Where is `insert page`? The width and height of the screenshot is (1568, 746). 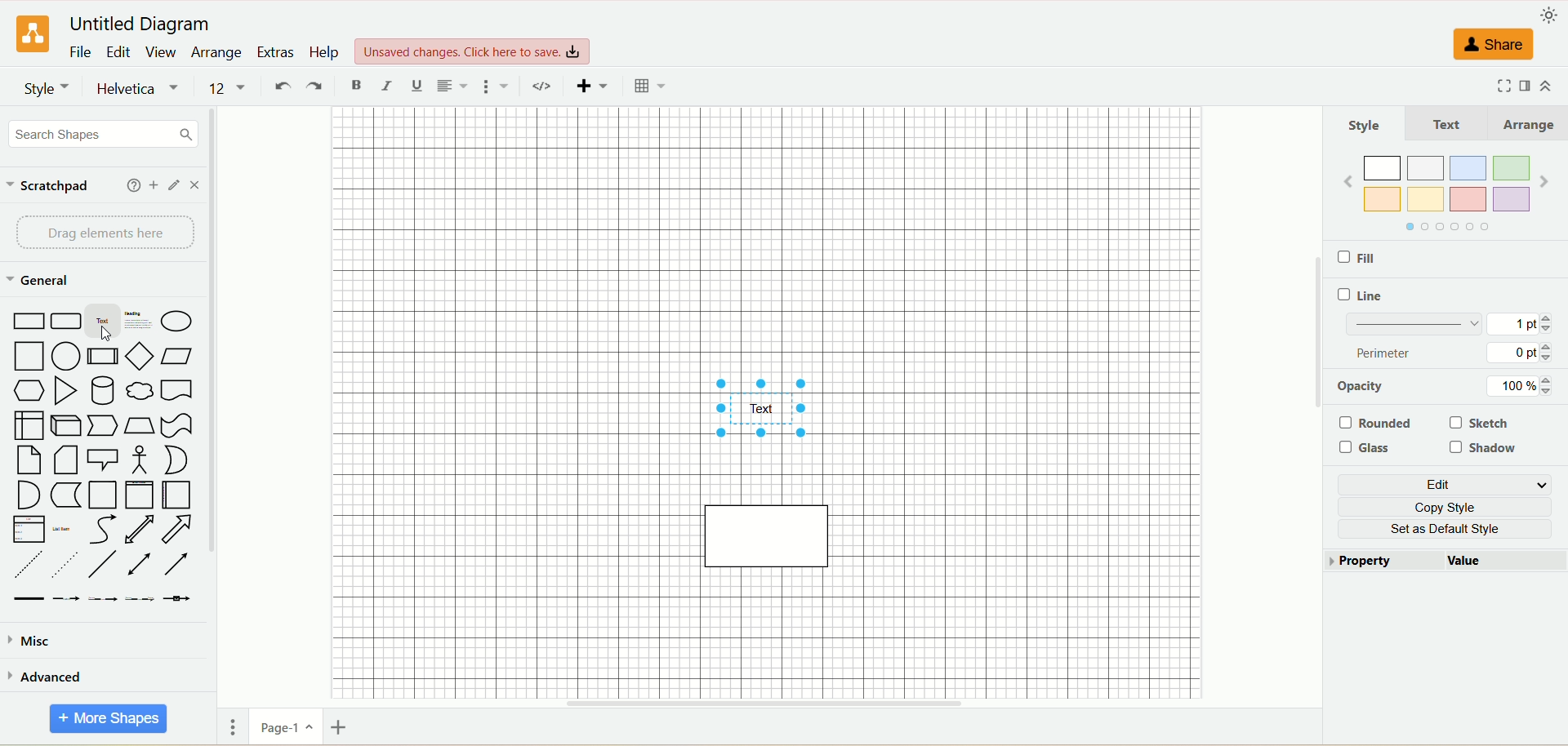
insert page is located at coordinates (337, 730).